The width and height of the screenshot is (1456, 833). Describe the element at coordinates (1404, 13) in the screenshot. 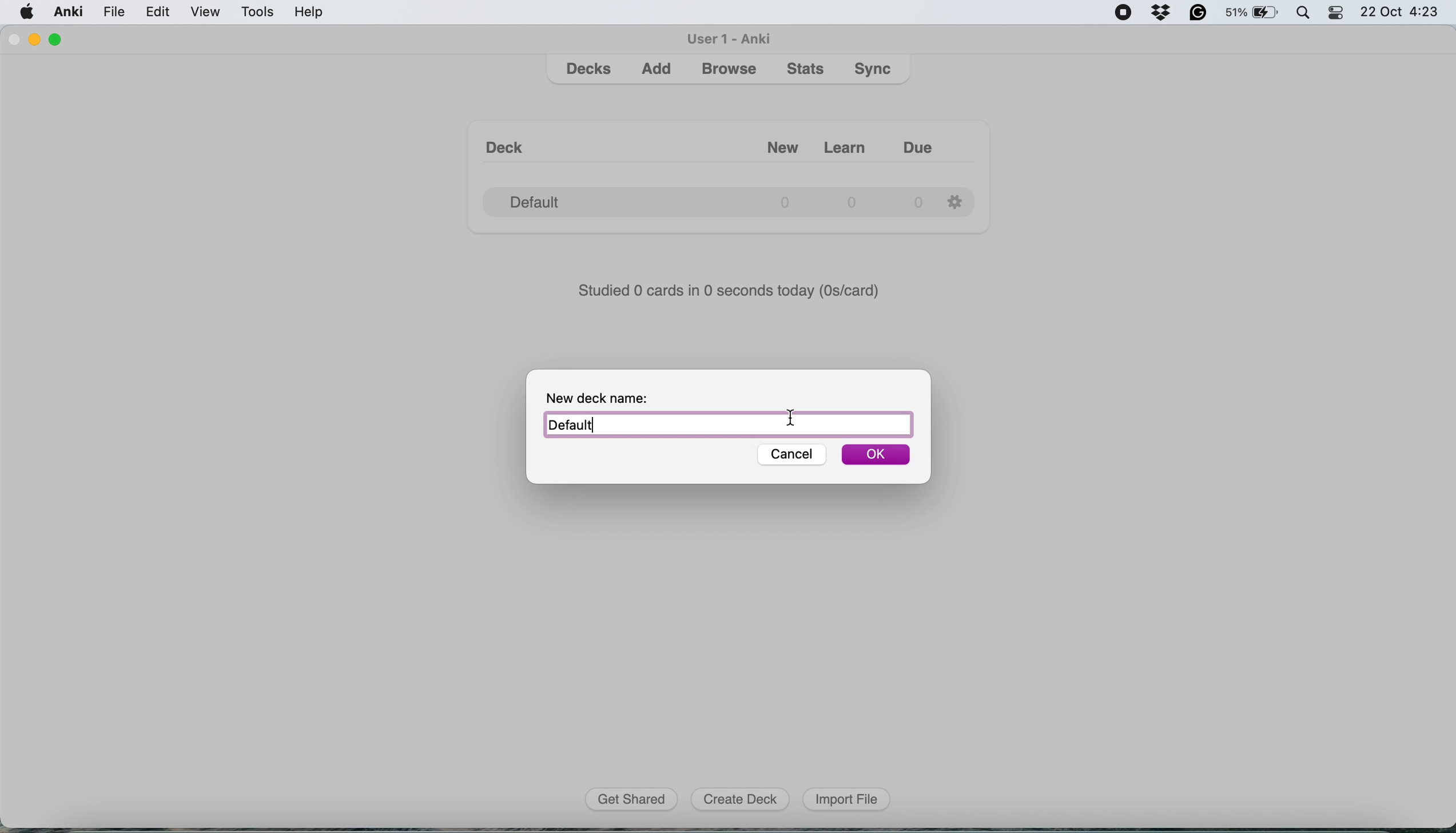

I see `22 Oct 4:23` at that location.